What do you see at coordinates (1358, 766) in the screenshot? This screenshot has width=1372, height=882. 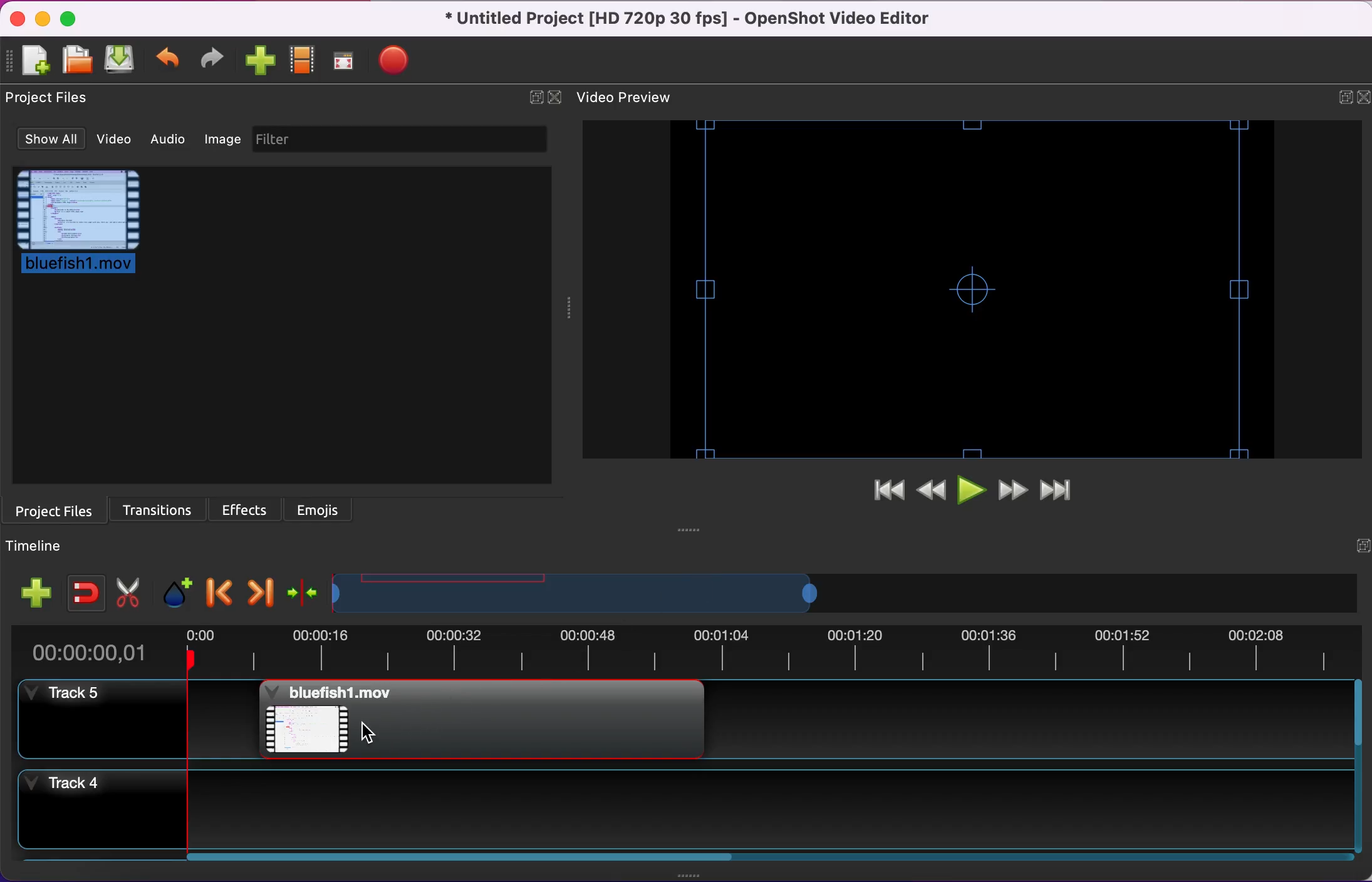 I see `Vertical slide bar` at bounding box center [1358, 766].